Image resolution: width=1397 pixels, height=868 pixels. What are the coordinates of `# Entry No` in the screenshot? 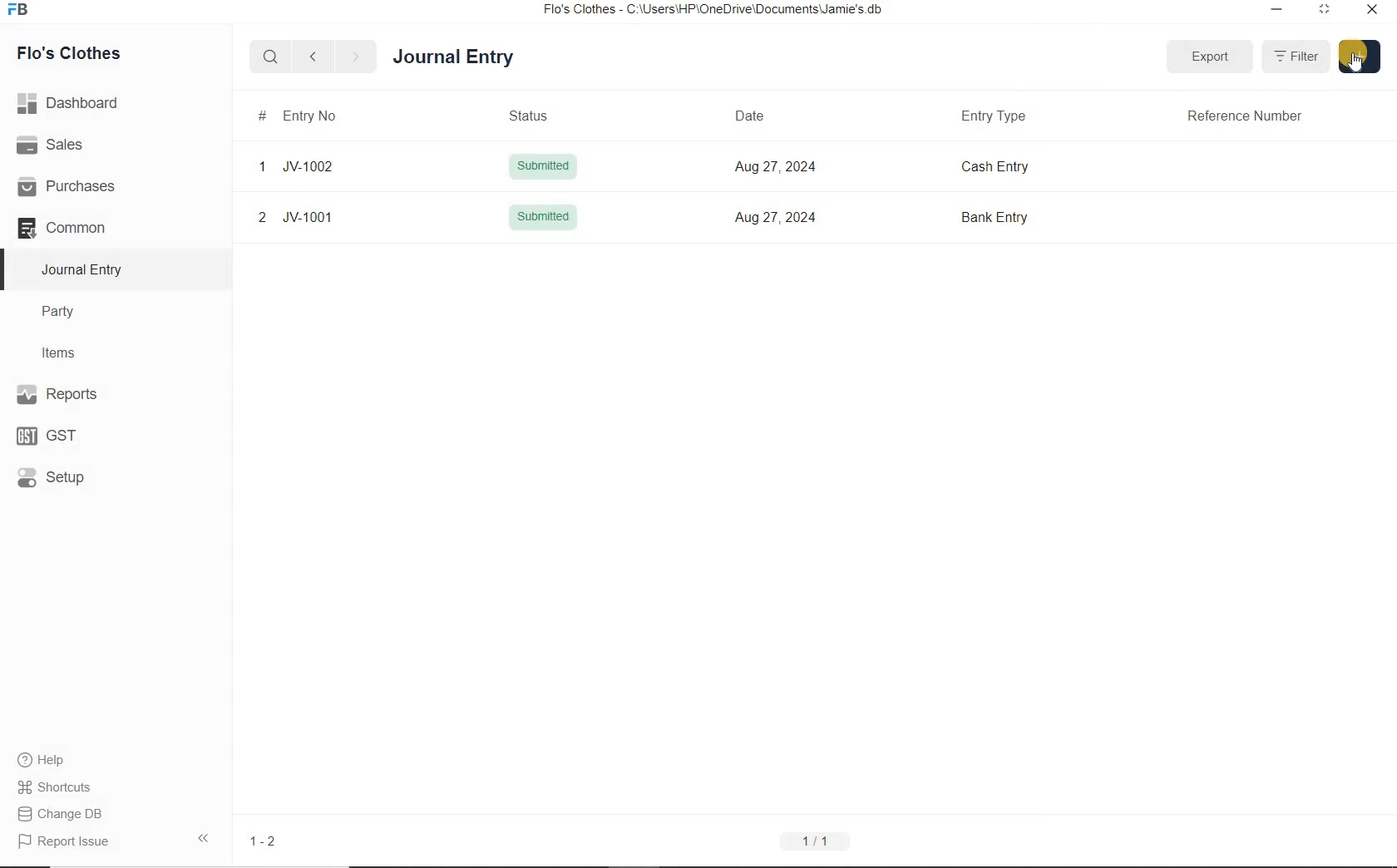 It's located at (301, 115).